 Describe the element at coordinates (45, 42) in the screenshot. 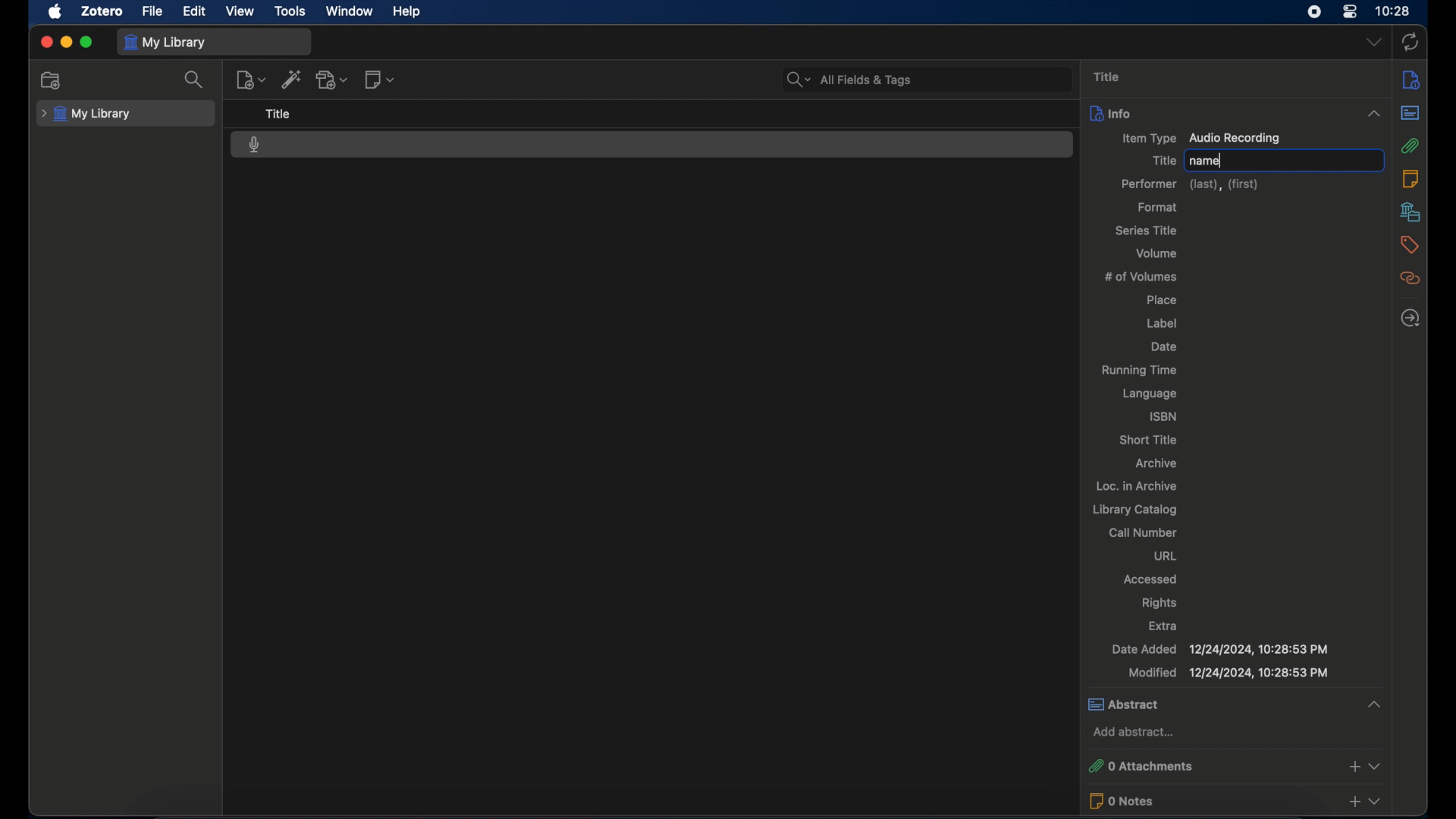

I see `close` at that location.